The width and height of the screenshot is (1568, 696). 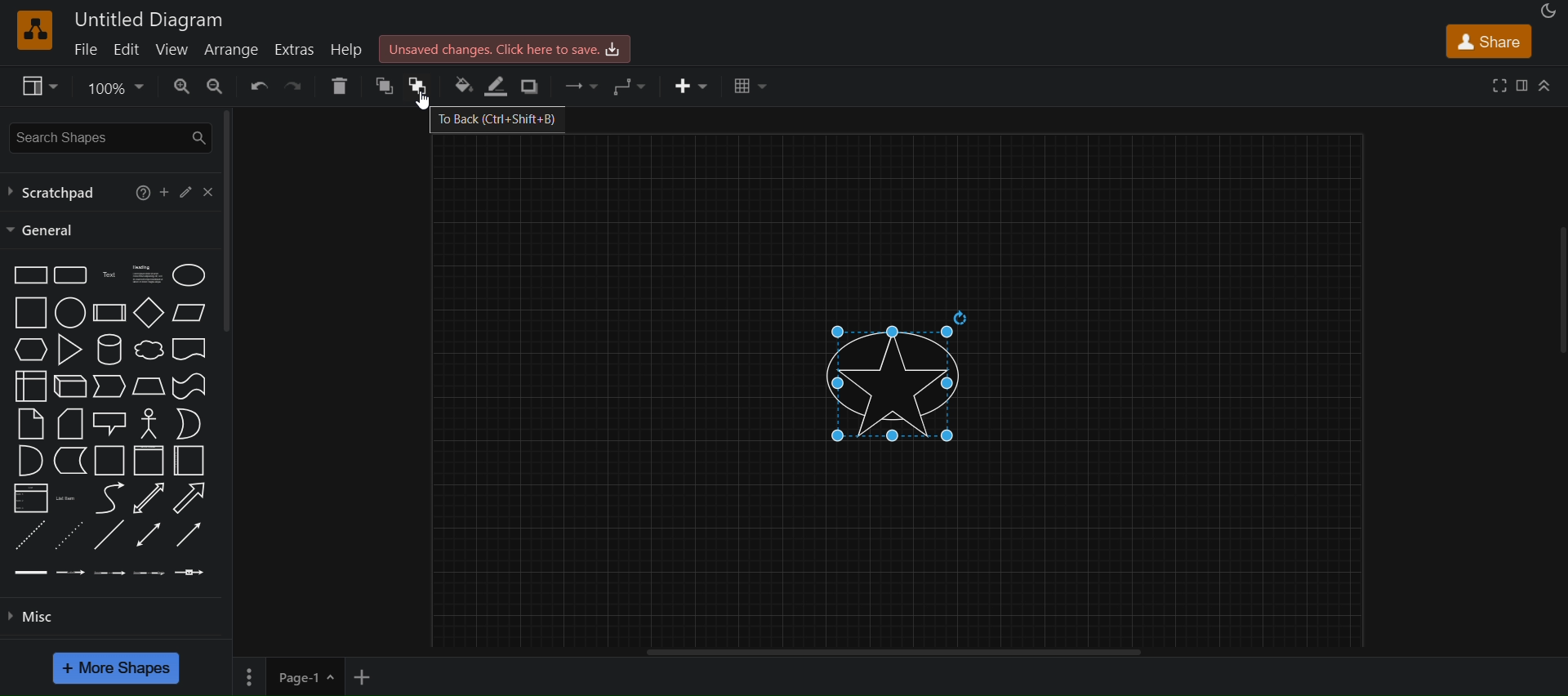 I want to click on textbox, so click(x=150, y=274).